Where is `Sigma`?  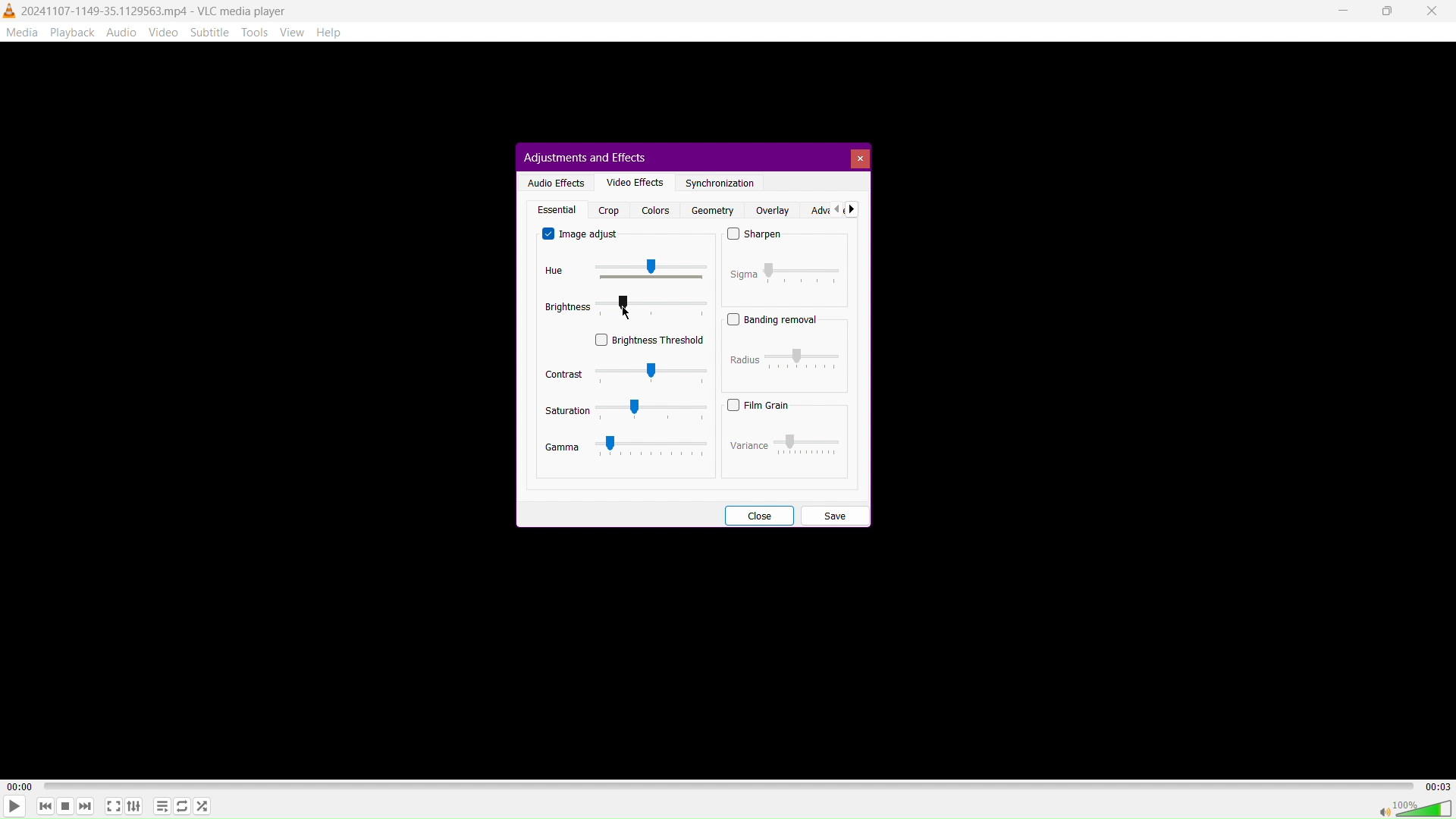 Sigma is located at coordinates (785, 271).